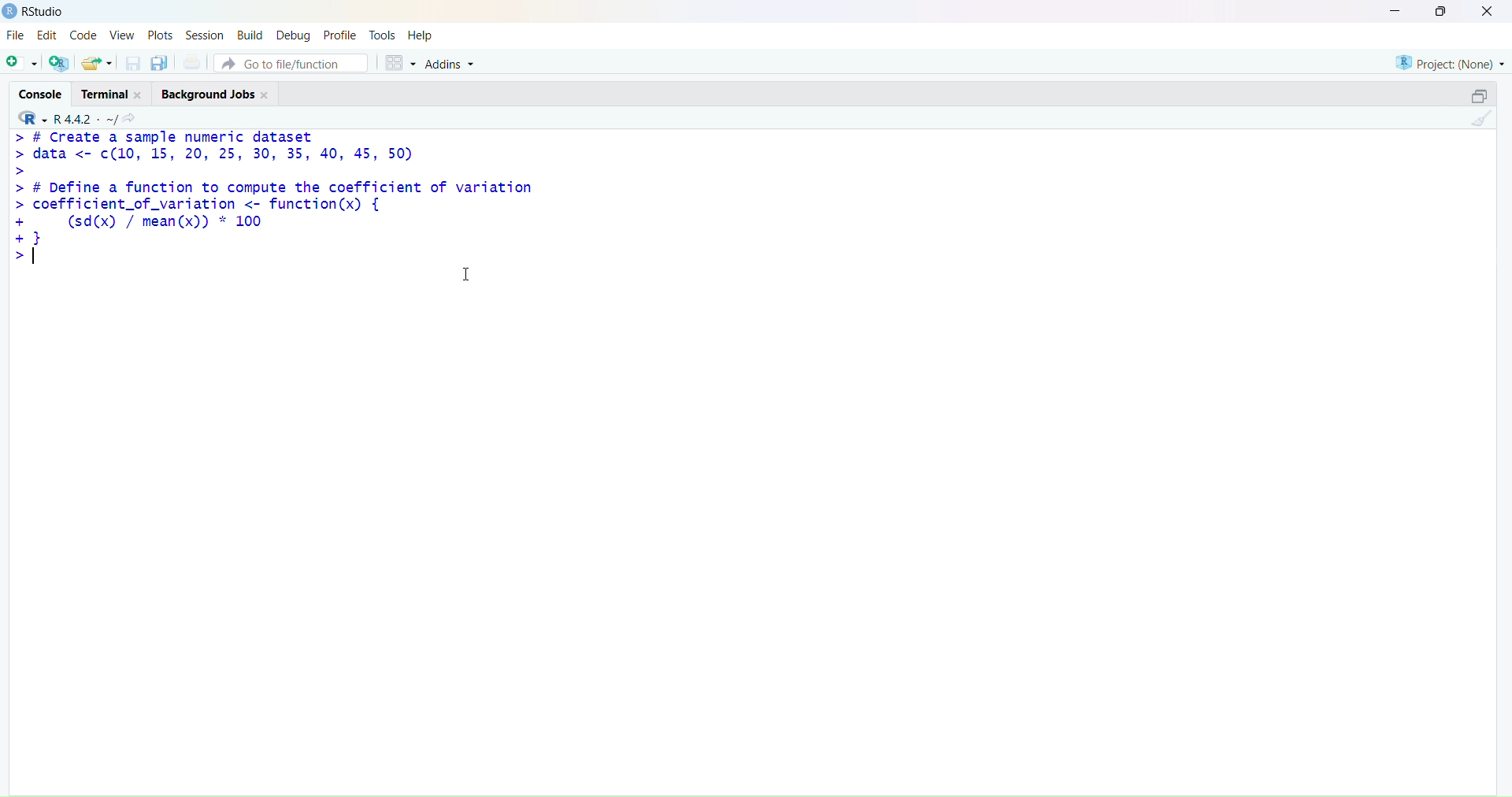 The image size is (1512, 797). What do you see at coordinates (1450, 63) in the screenshot?
I see `project (none)` at bounding box center [1450, 63].